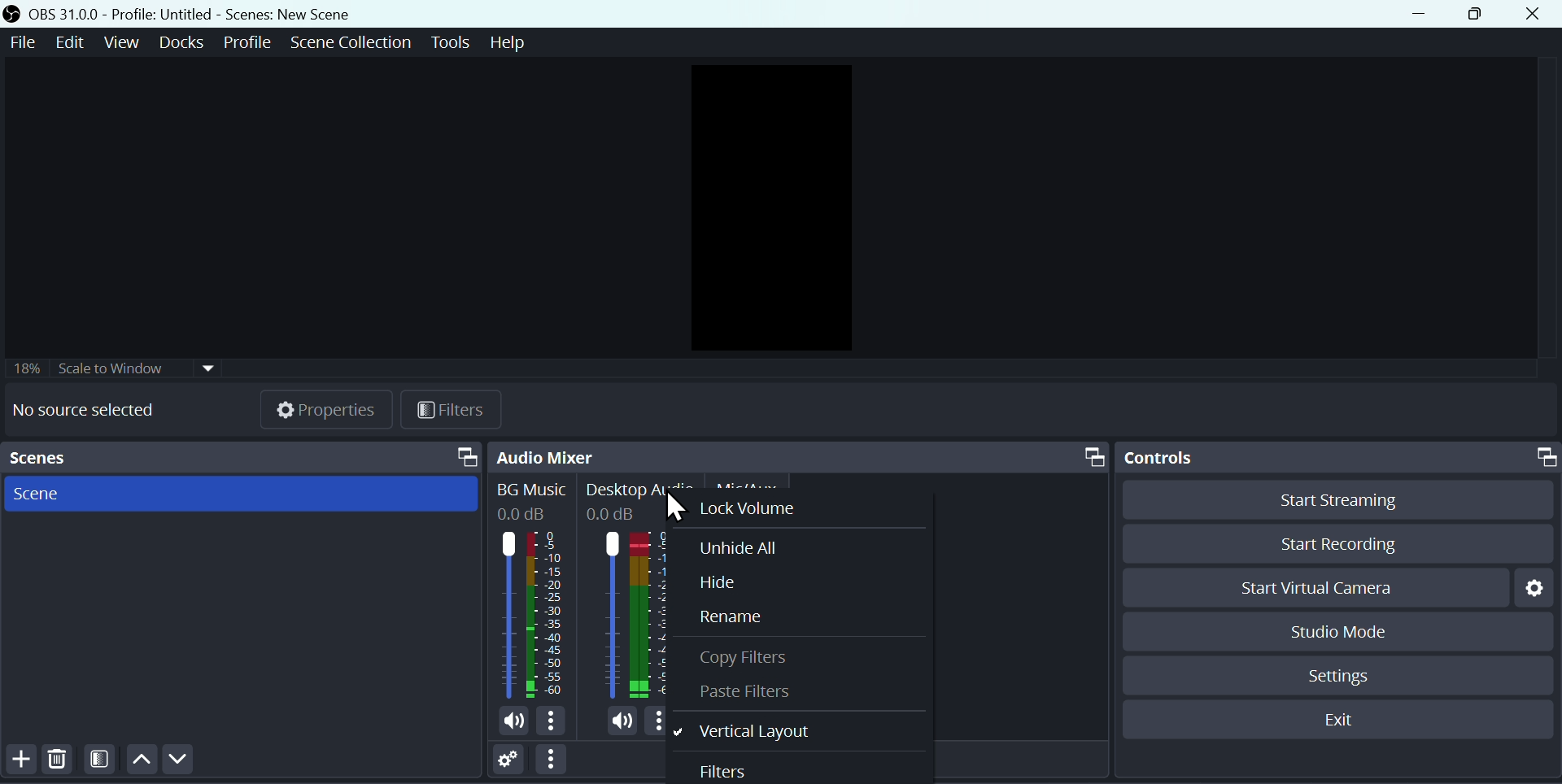 This screenshot has width=1562, height=784. Describe the element at coordinates (1315, 585) in the screenshot. I see `Start virtual camera` at that location.